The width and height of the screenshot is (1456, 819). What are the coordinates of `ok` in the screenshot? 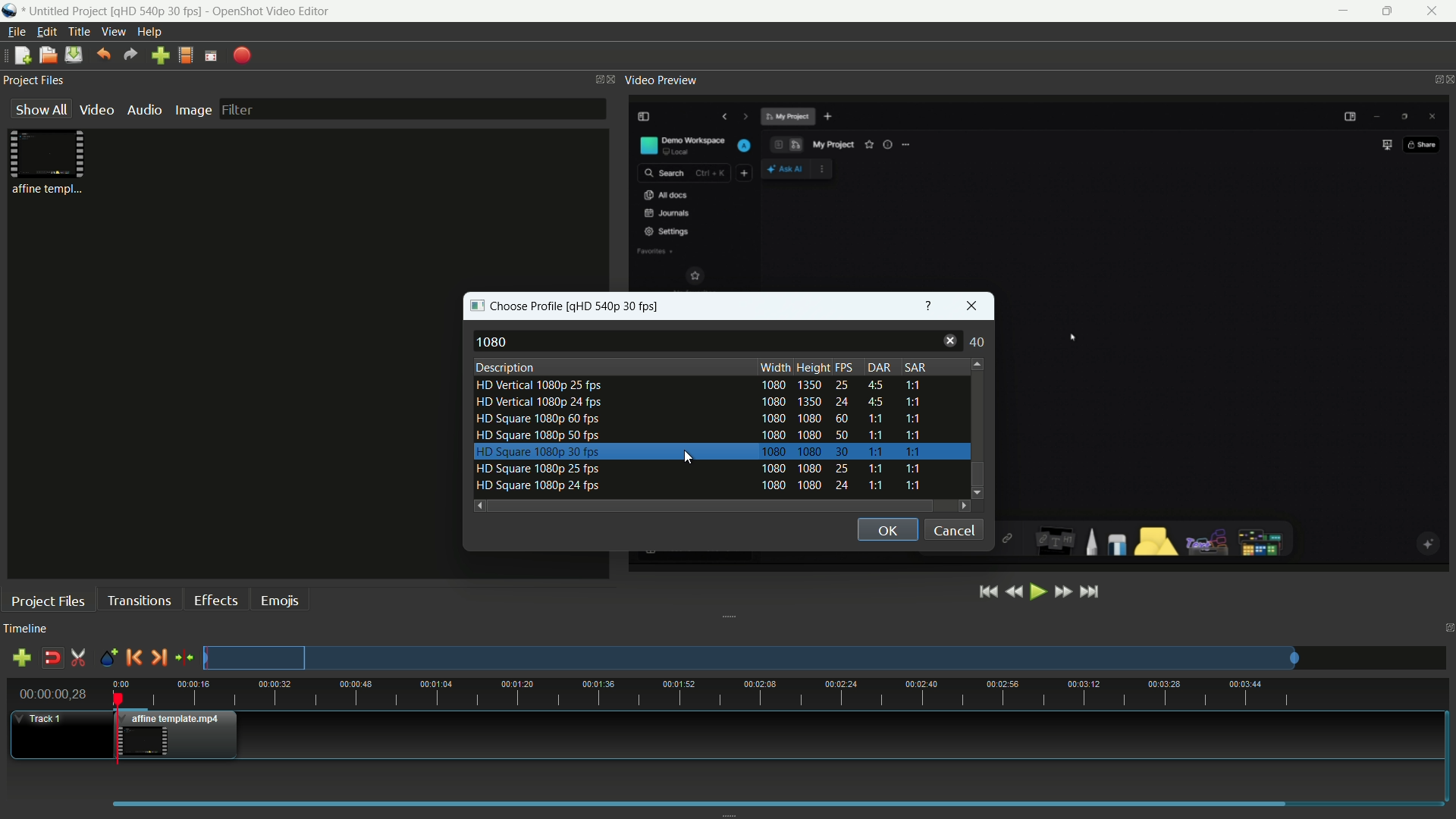 It's located at (886, 530).